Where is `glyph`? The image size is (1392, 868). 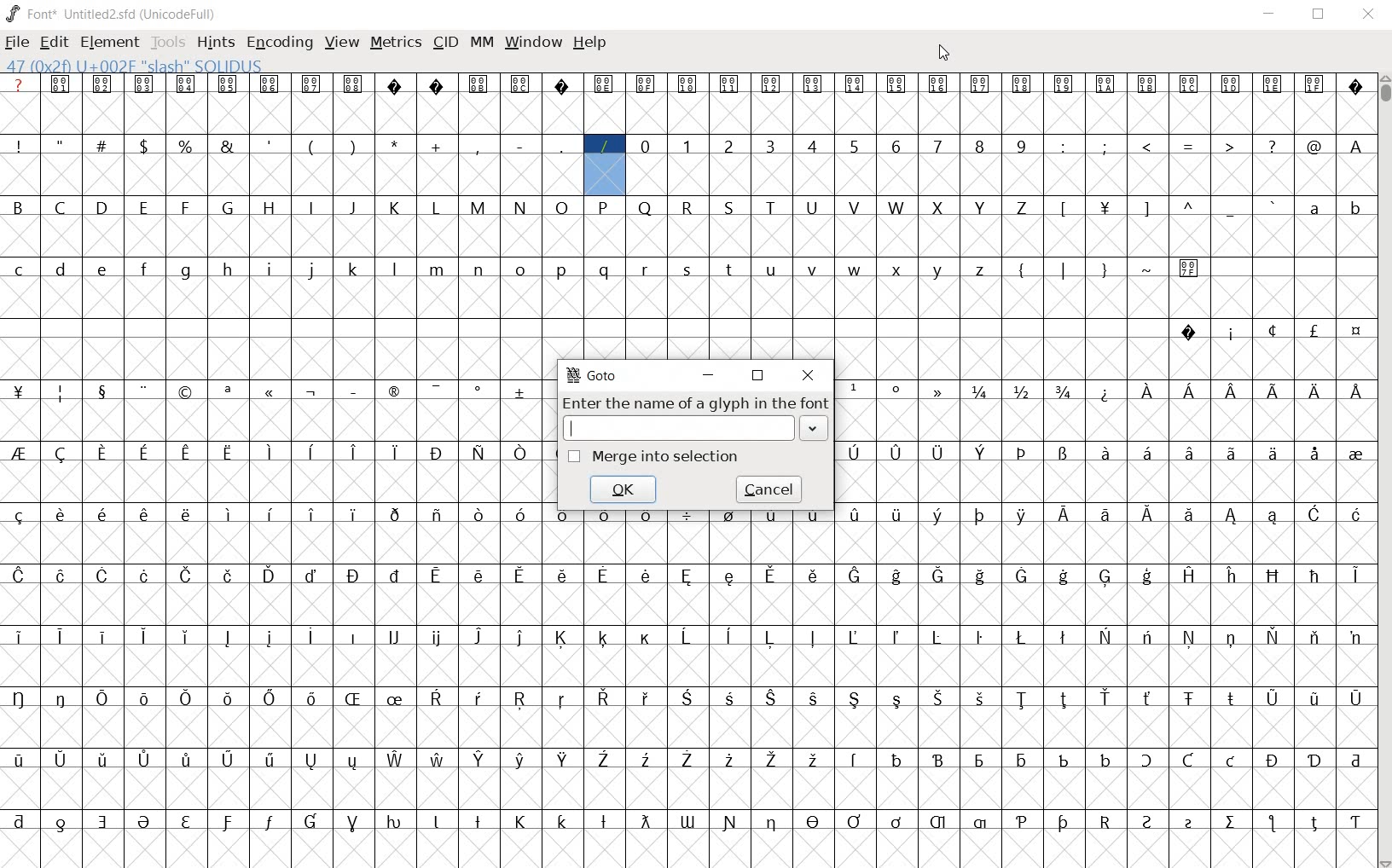 glyph is located at coordinates (352, 146).